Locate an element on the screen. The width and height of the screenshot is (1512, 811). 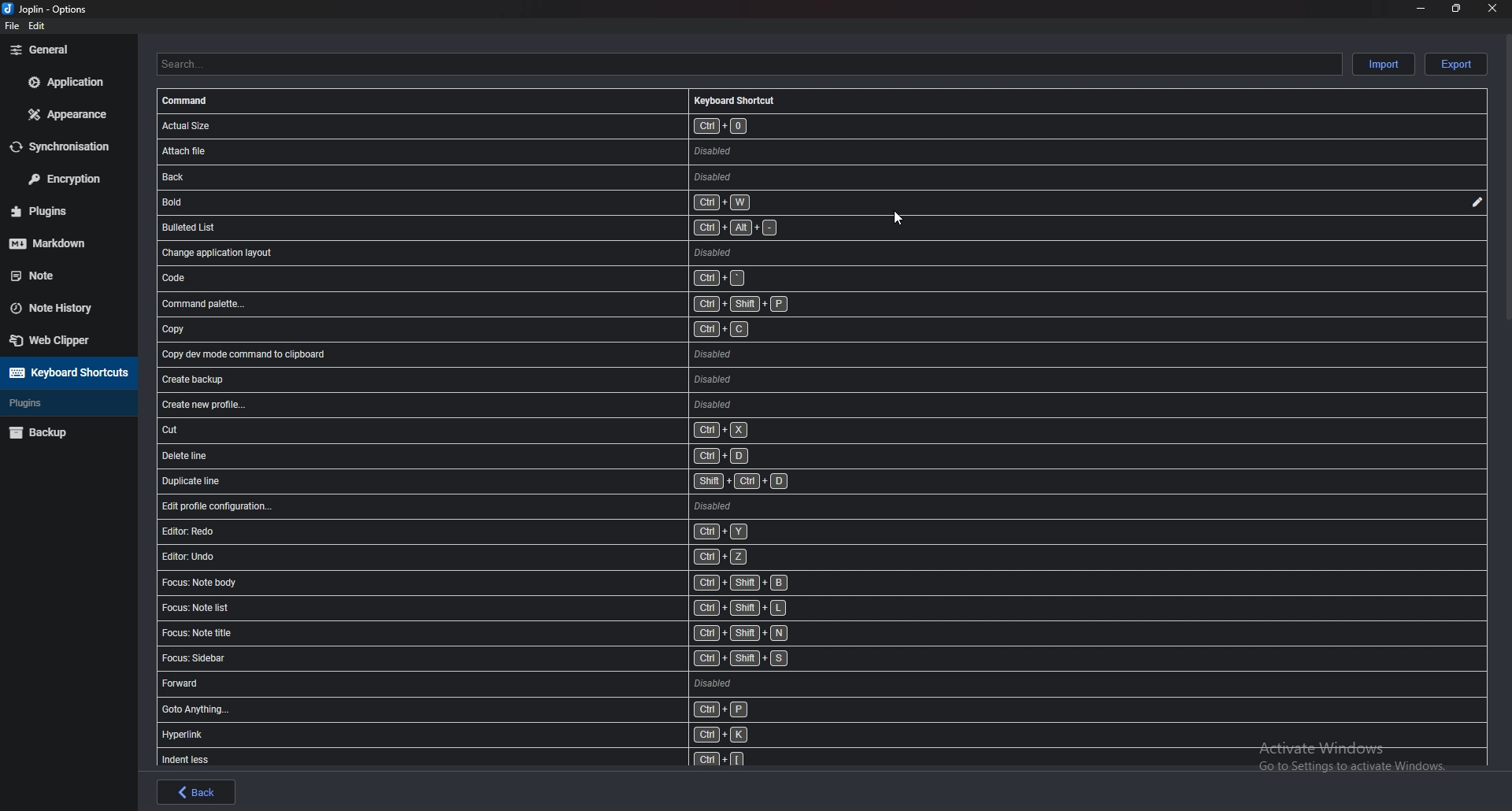
shortcut is located at coordinates (499, 330).